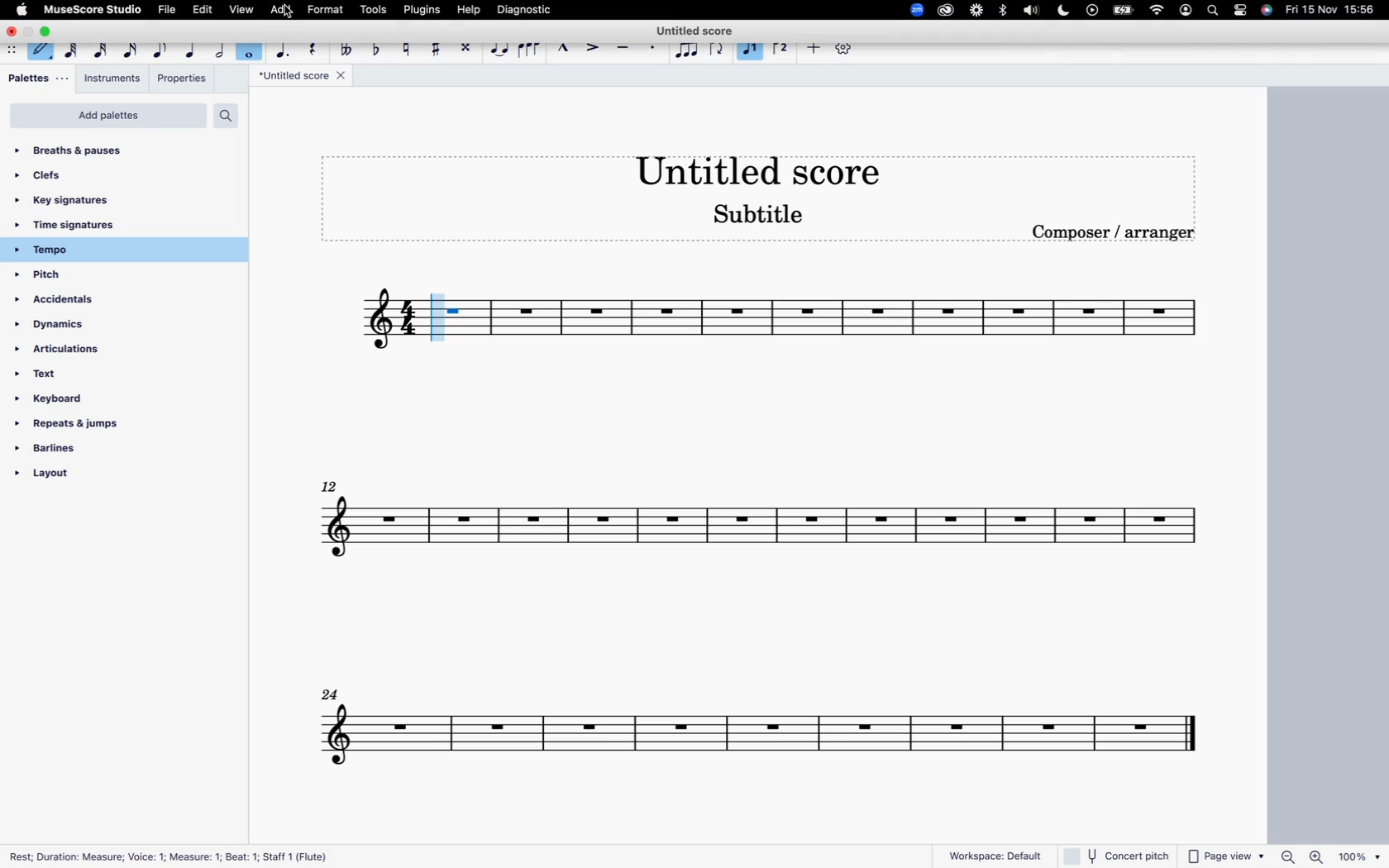  I want to click on add palettes, so click(106, 117).